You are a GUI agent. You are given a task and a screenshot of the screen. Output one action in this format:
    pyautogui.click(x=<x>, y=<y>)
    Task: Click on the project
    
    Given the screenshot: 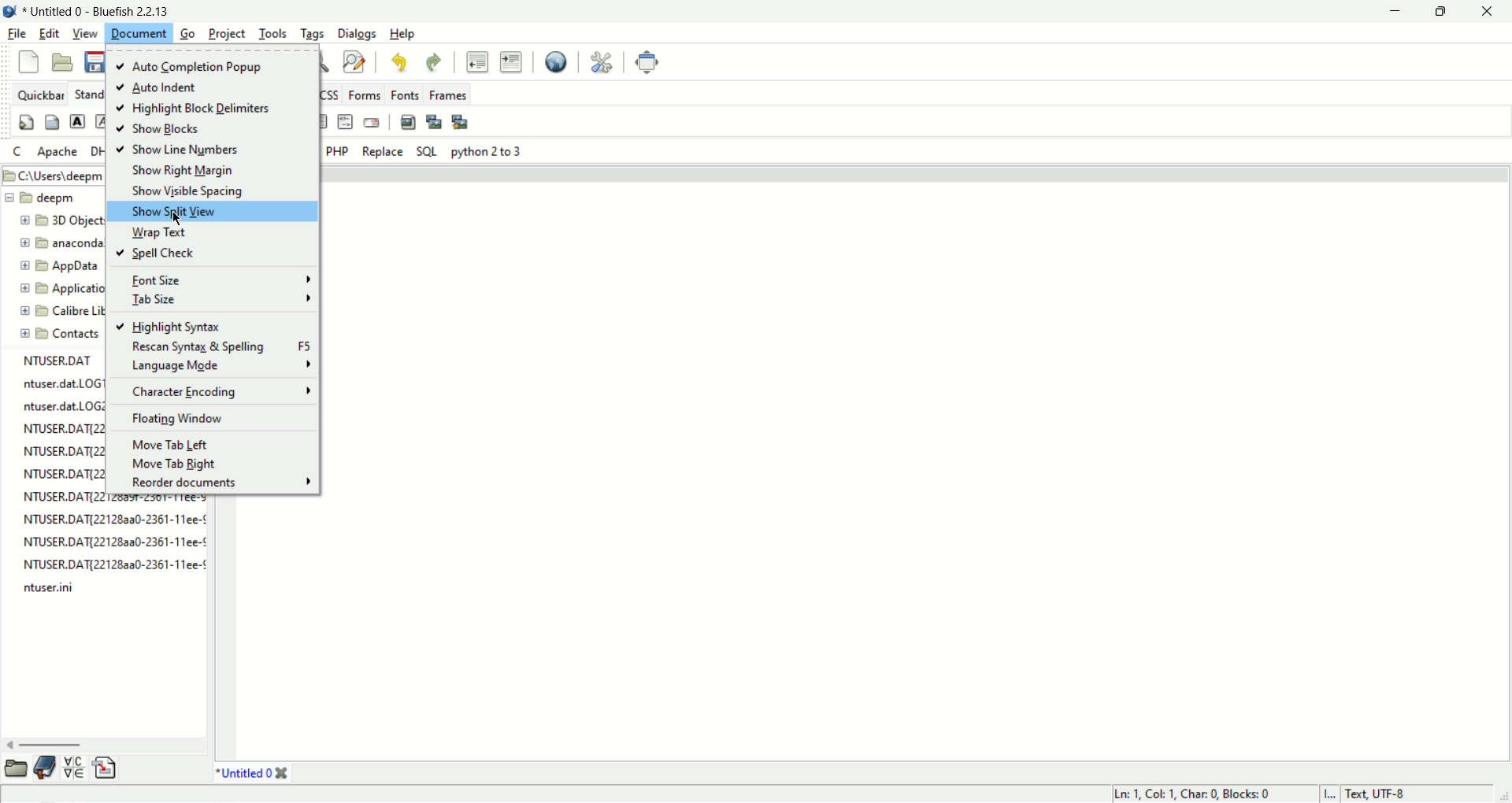 What is the action you would take?
    pyautogui.click(x=227, y=34)
    